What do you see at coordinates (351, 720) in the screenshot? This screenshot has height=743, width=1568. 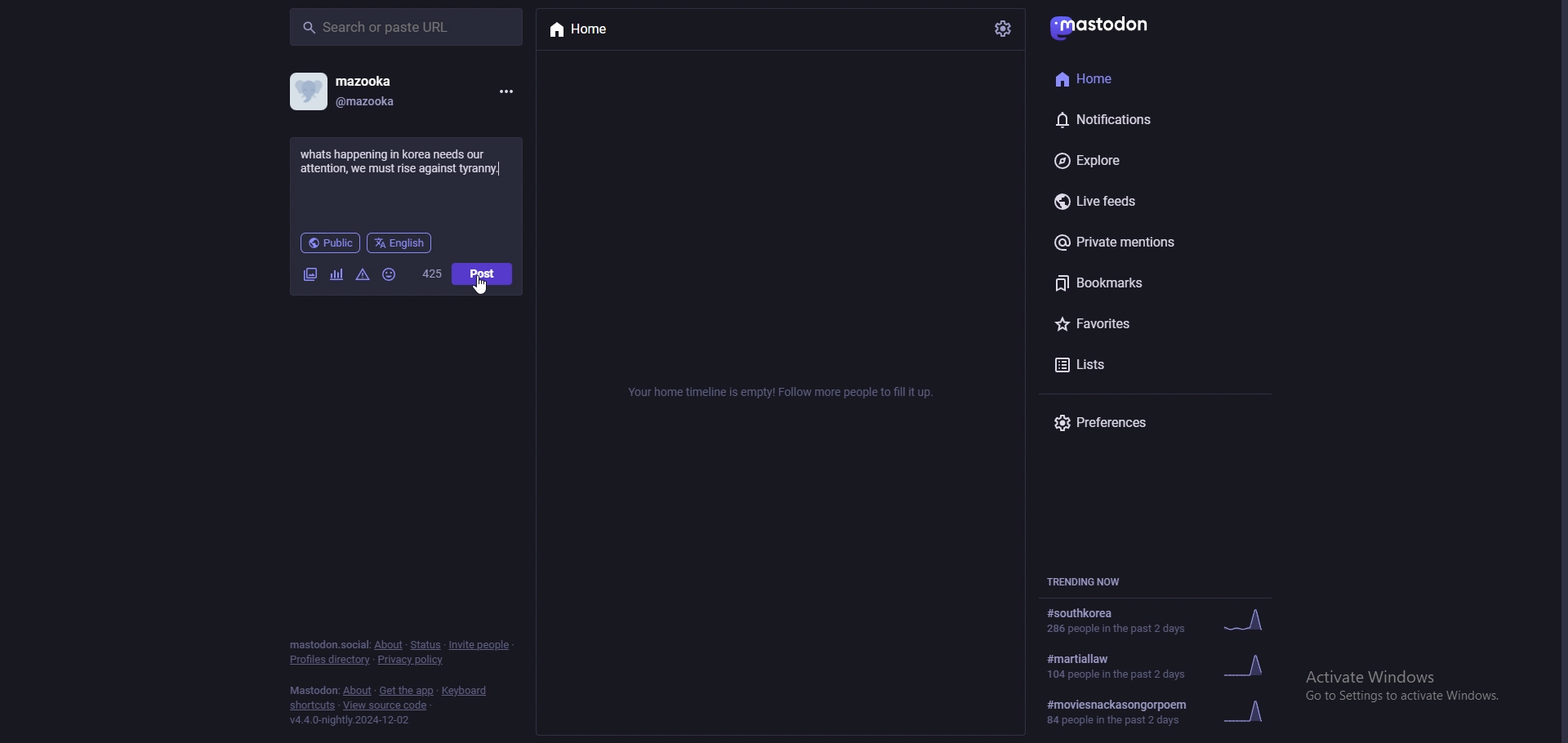 I see `version` at bounding box center [351, 720].